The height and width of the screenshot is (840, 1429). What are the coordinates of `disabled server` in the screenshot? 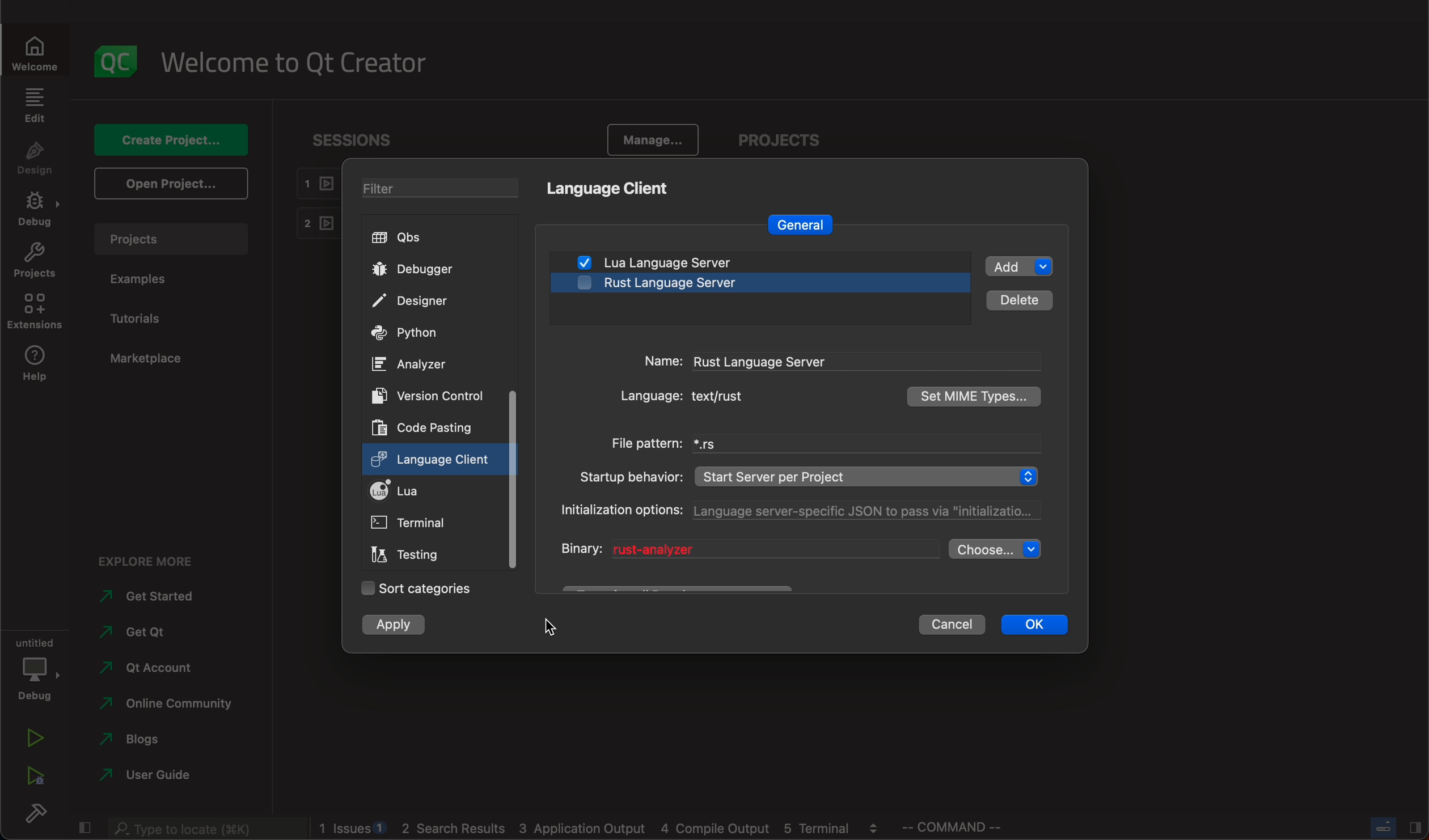 It's located at (754, 286).